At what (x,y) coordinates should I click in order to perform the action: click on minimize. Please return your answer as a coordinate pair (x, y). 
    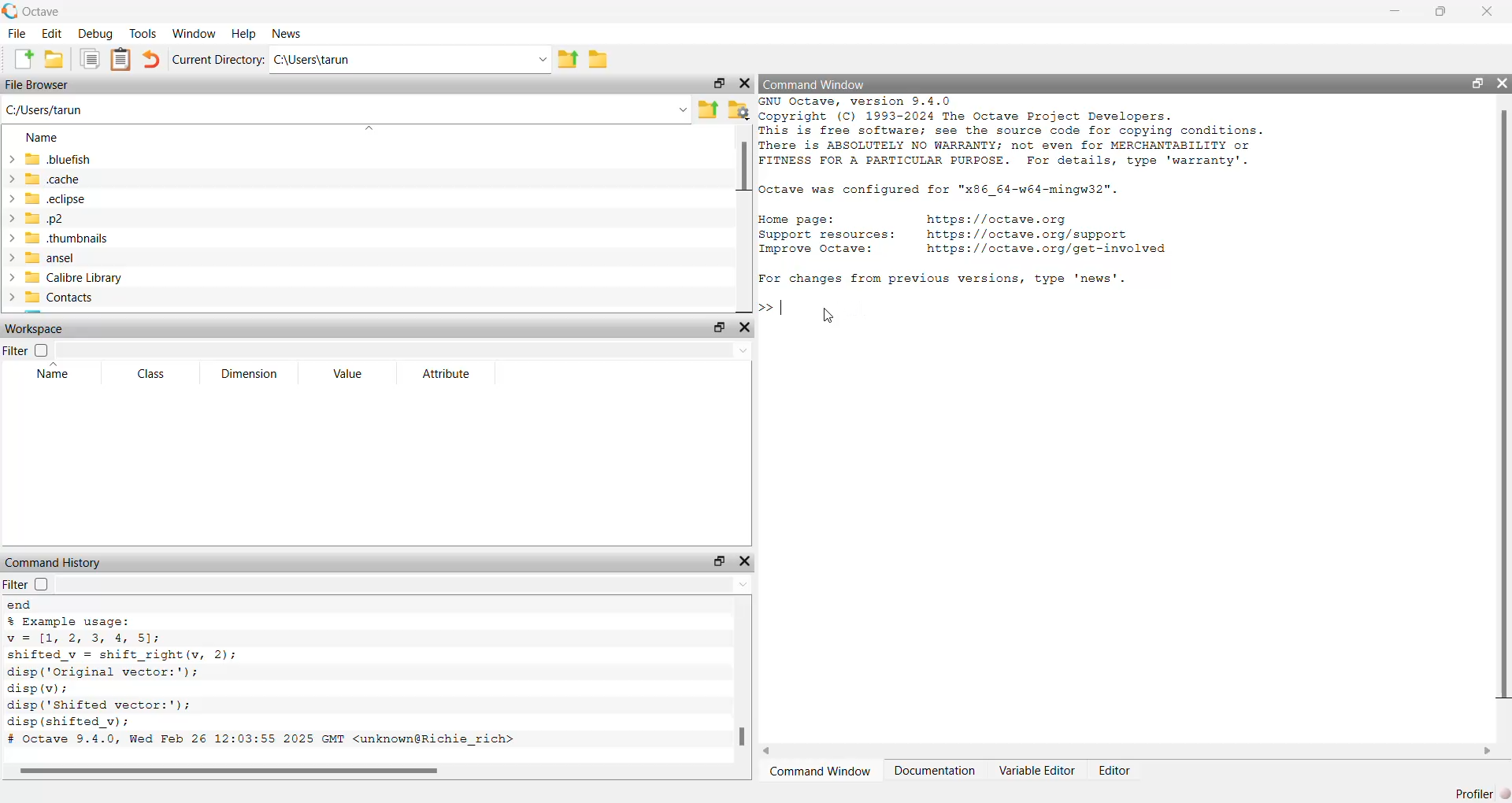
    Looking at the image, I should click on (1395, 10).